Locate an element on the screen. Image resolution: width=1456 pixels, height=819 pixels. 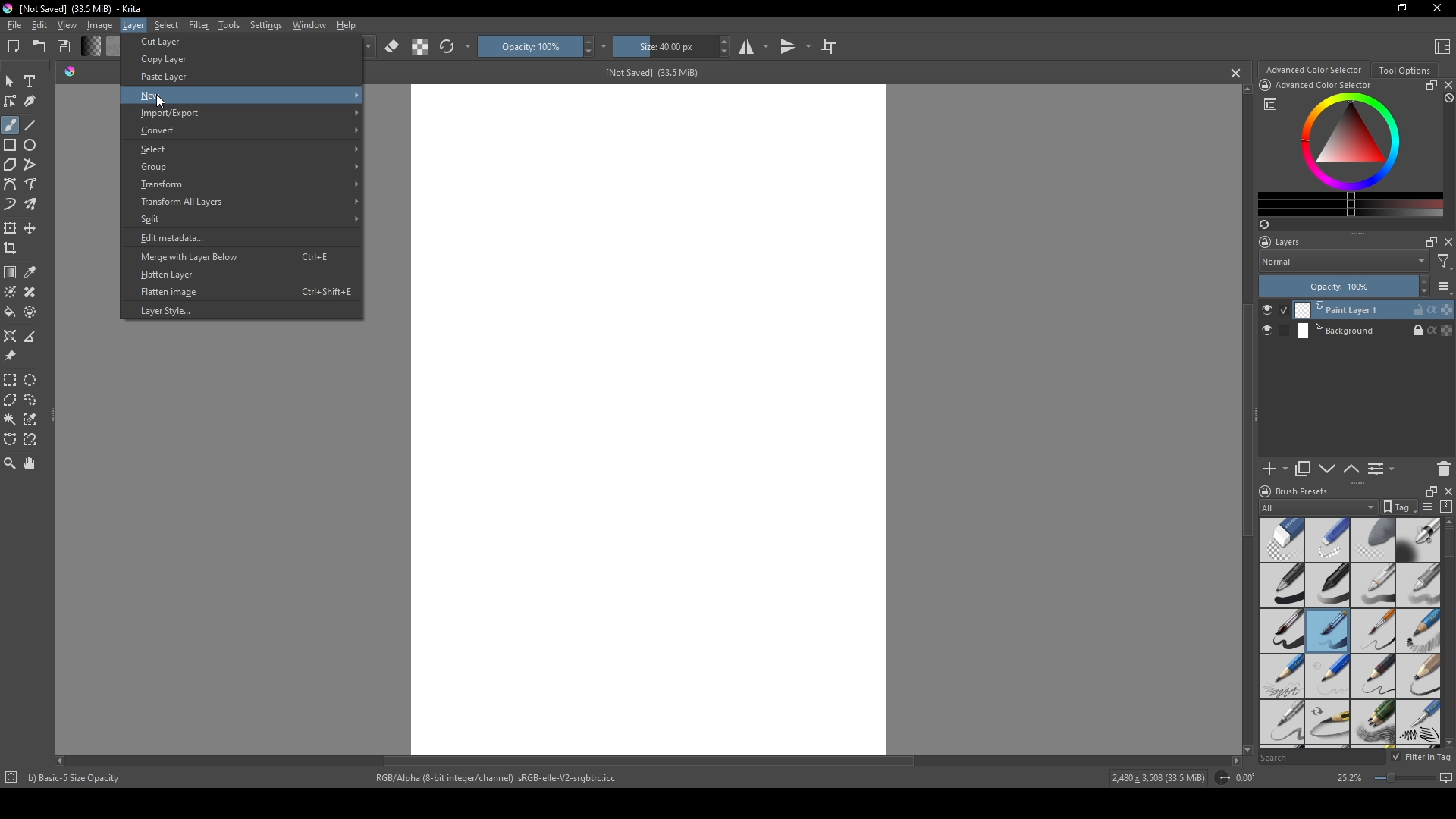
resize is located at coordinates (1428, 490).